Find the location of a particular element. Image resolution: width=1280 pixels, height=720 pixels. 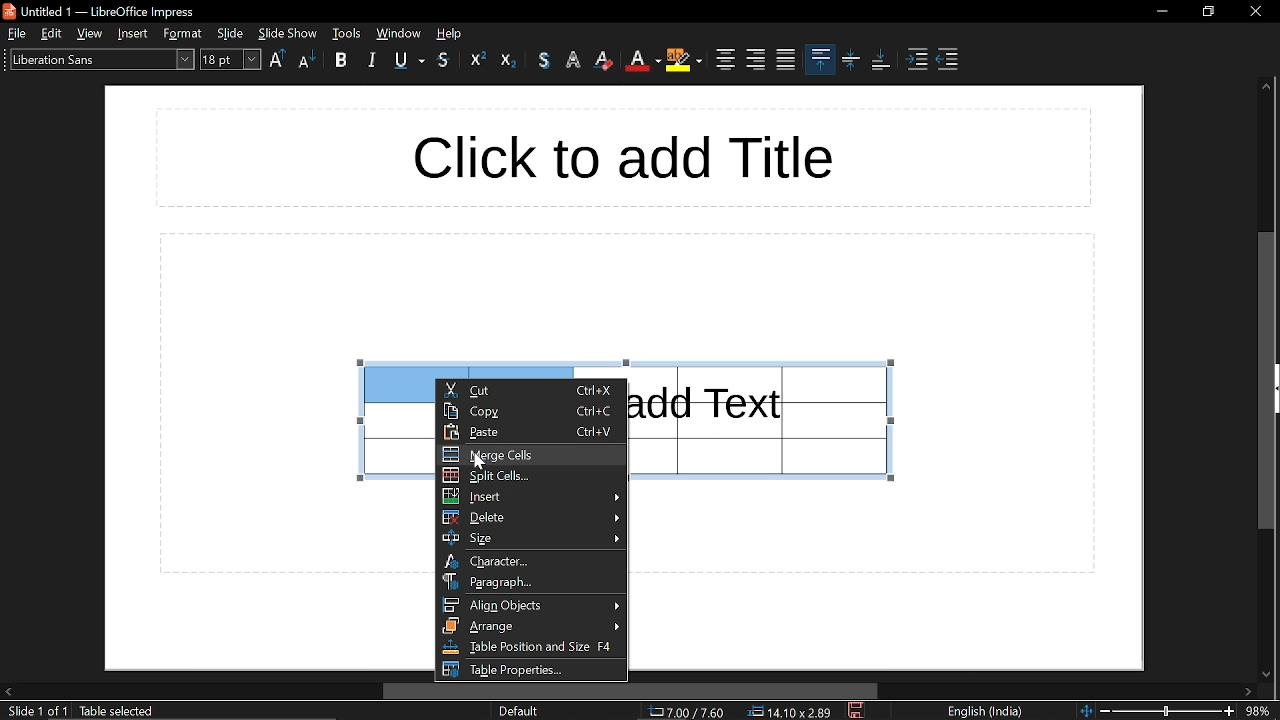

center vertically is located at coordinates (851, 61).